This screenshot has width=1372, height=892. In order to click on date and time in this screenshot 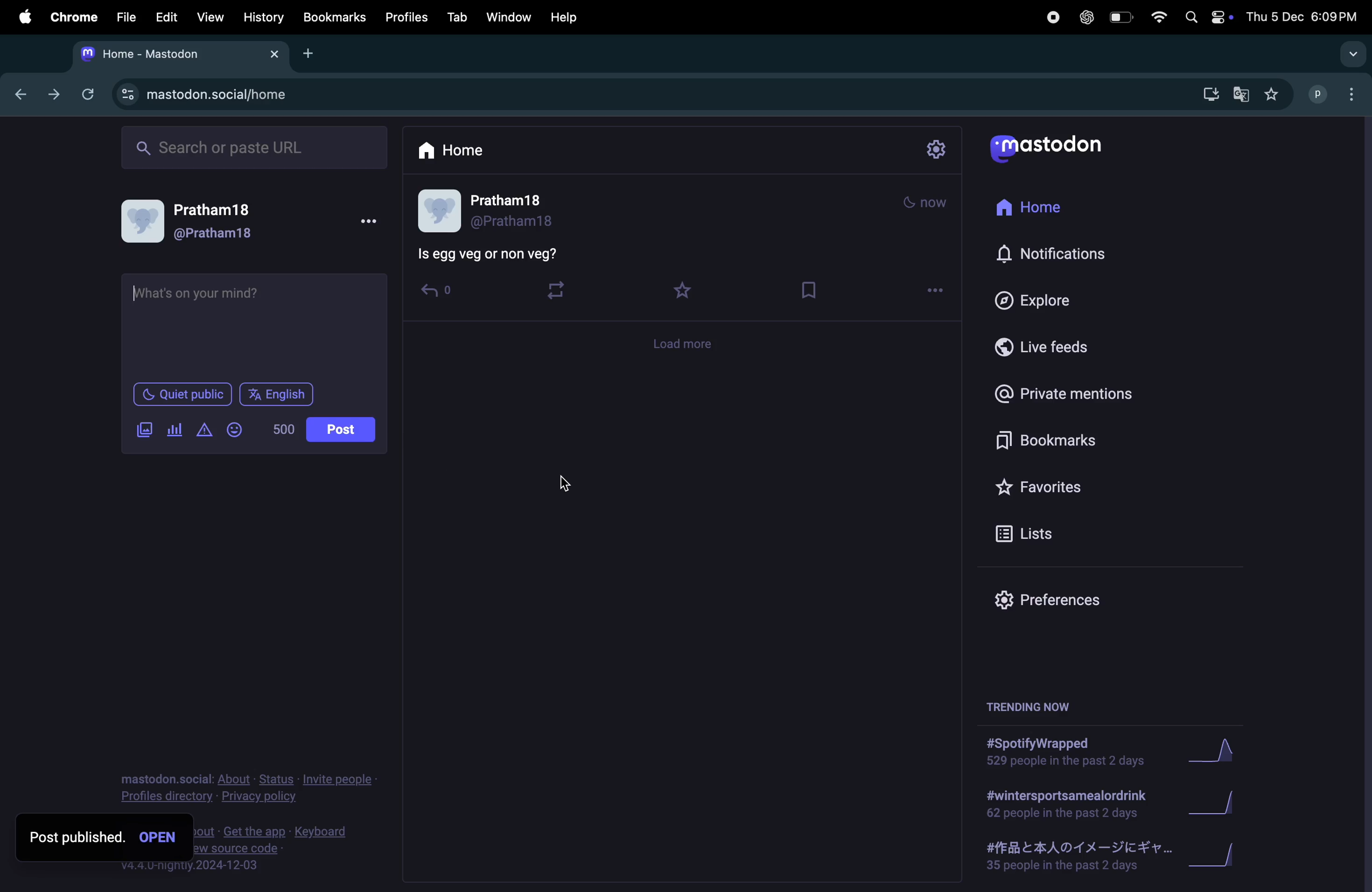, I will do `click(1305, 16)`.